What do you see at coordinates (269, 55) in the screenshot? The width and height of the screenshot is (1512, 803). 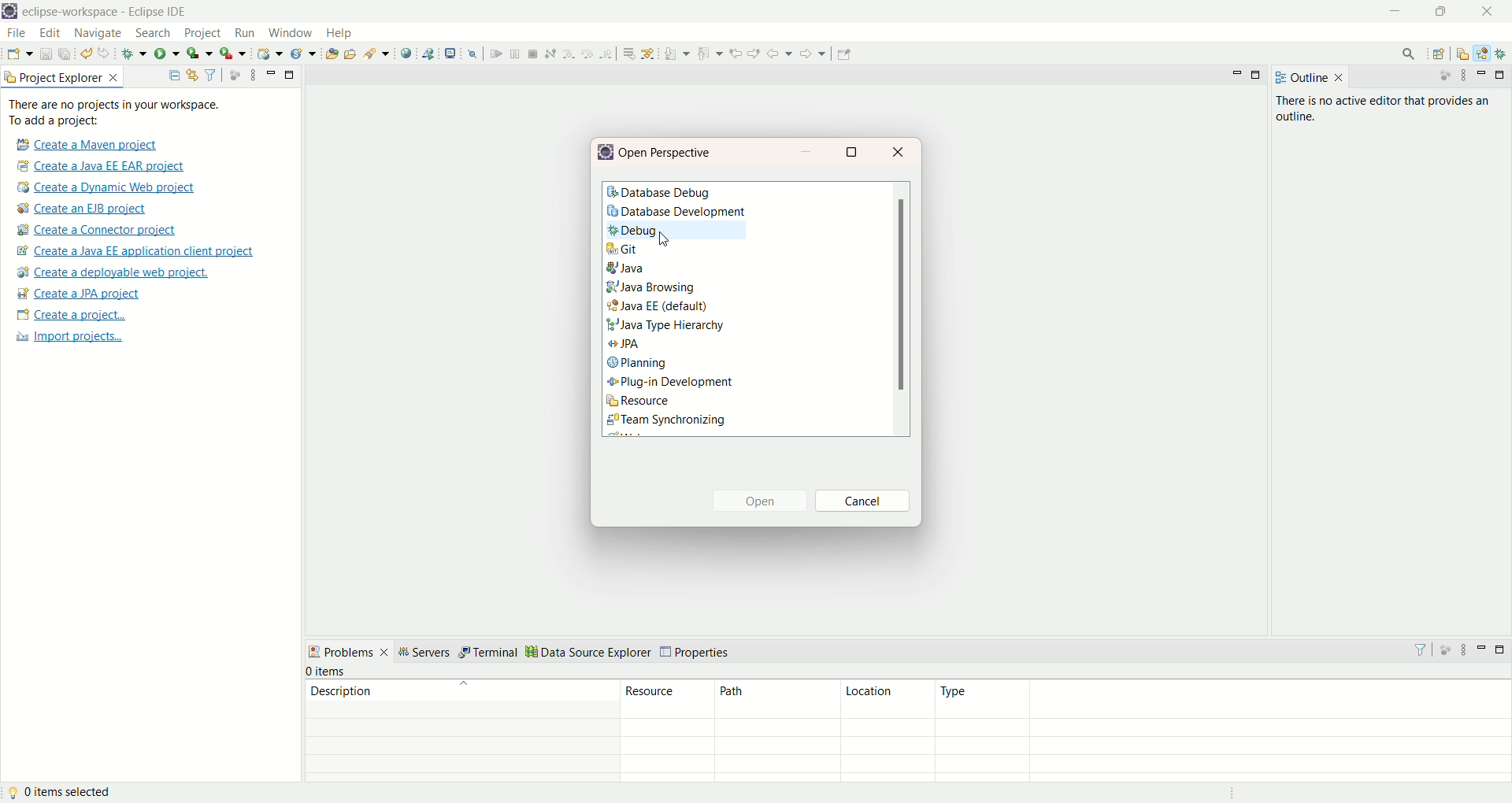 I see `create a dynamic web project` at bounding box center [269, 55].